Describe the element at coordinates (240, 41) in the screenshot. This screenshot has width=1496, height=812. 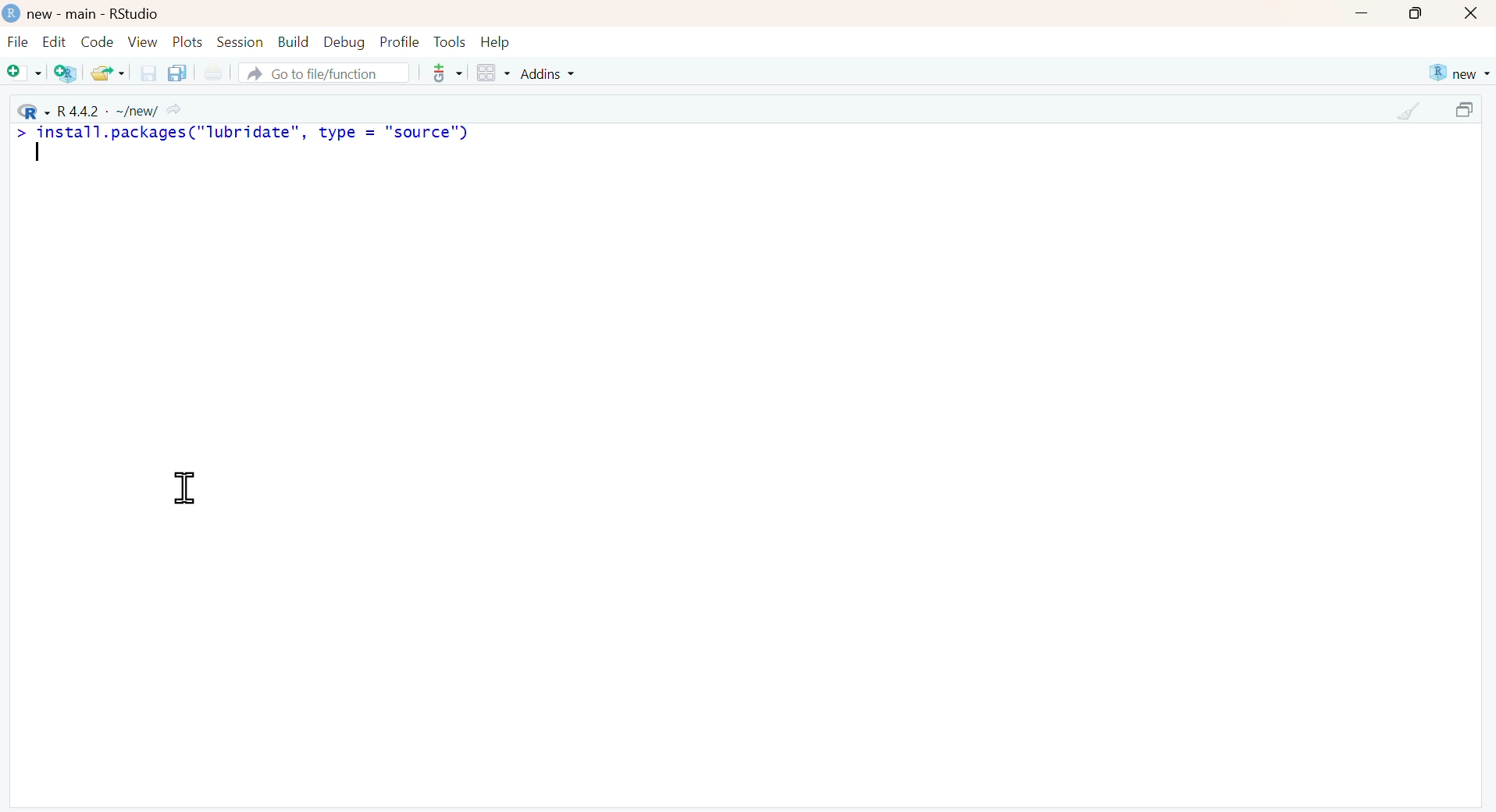
I see `Session` at that location.